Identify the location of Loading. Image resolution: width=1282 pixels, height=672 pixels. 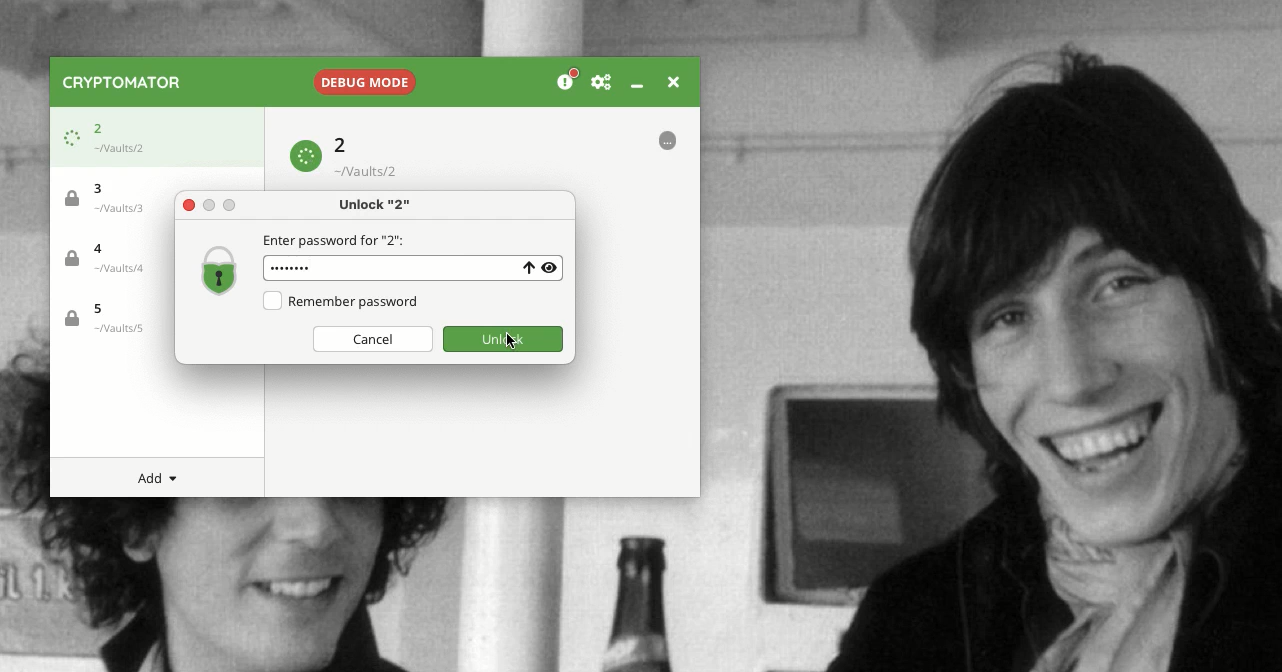
(304, 156).